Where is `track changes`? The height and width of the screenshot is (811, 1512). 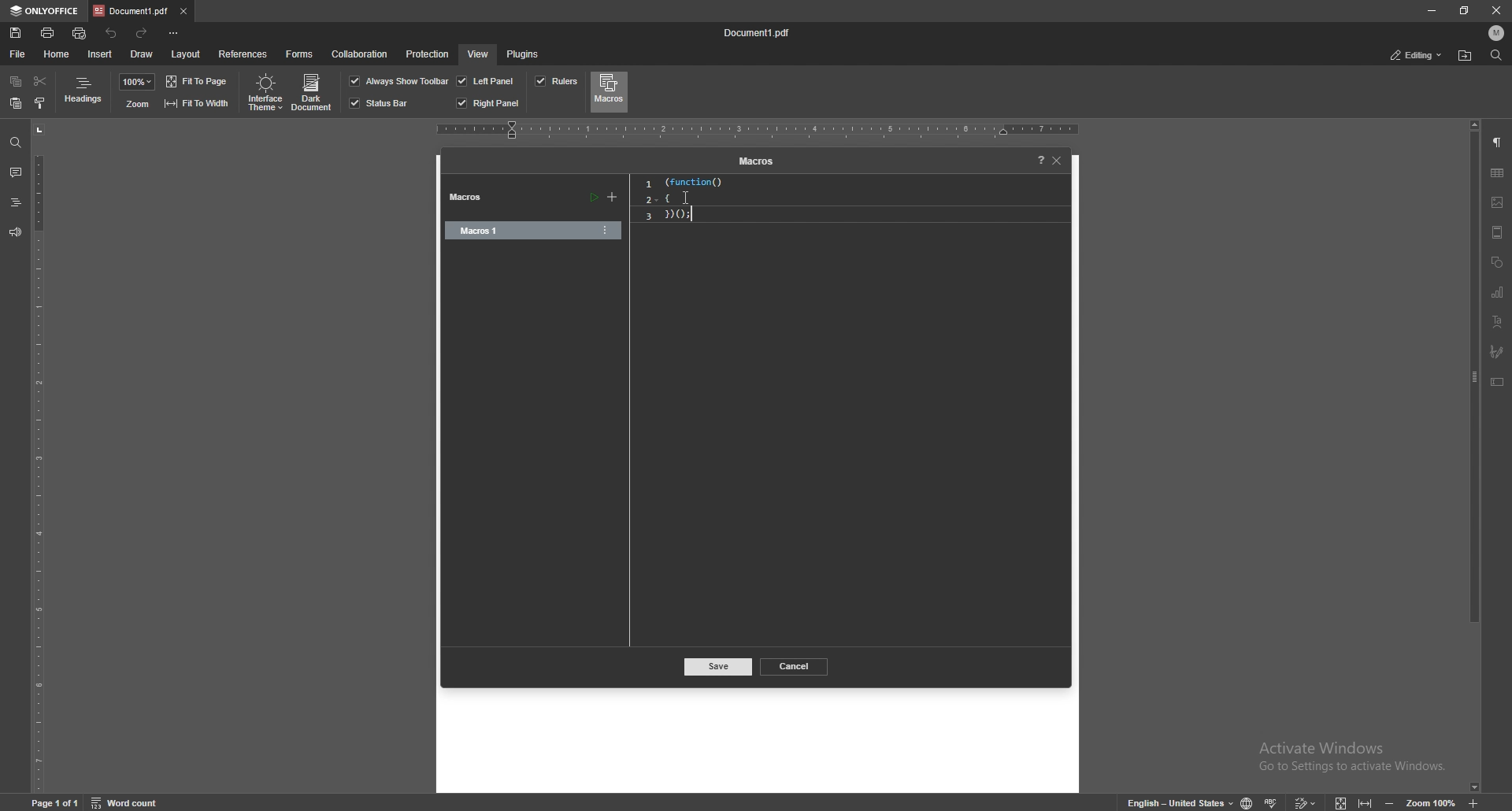 track changes is located at coordinates (1307, 802).